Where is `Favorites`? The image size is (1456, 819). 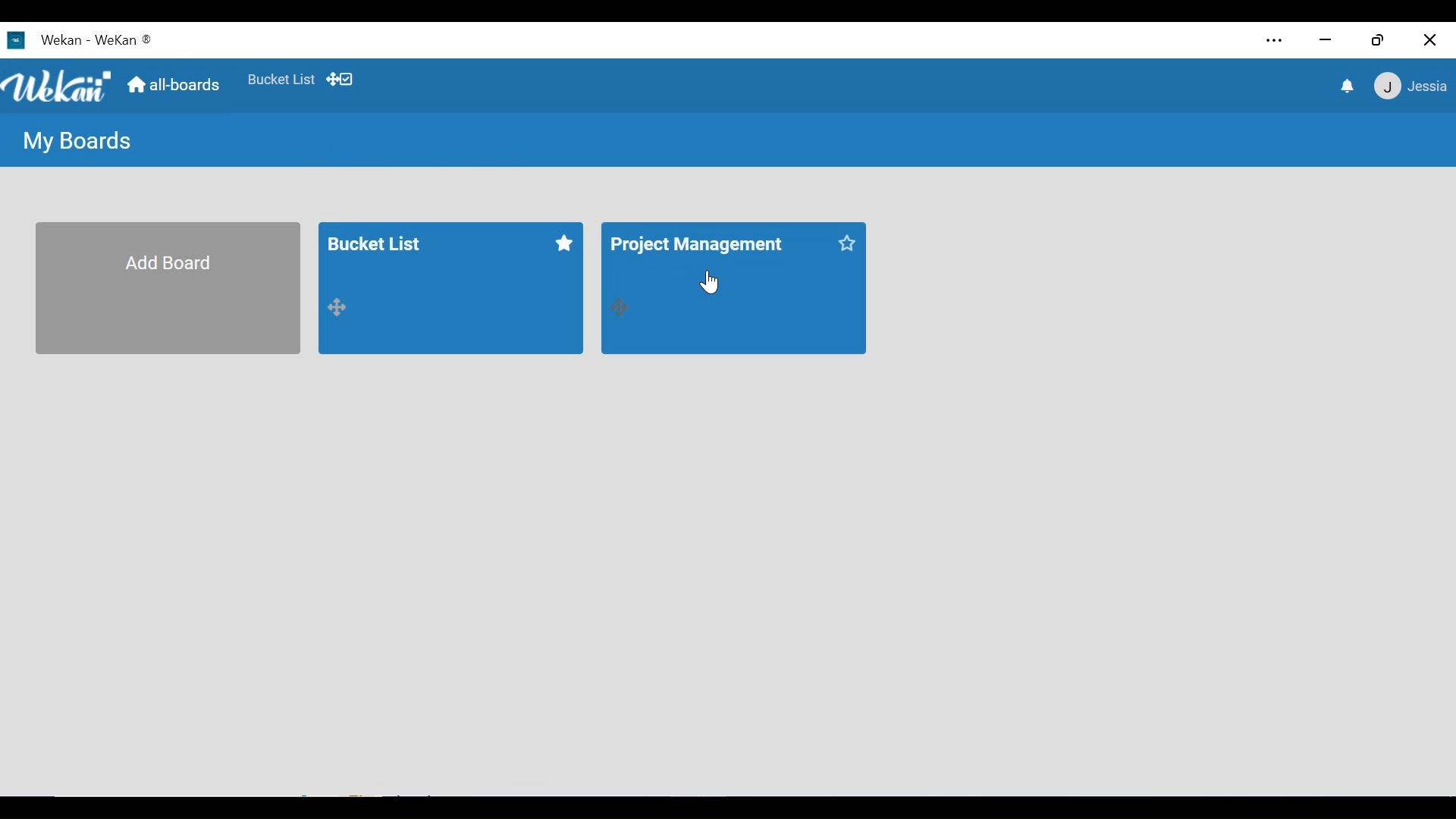 Favorites is located at coordinates (280, 80).